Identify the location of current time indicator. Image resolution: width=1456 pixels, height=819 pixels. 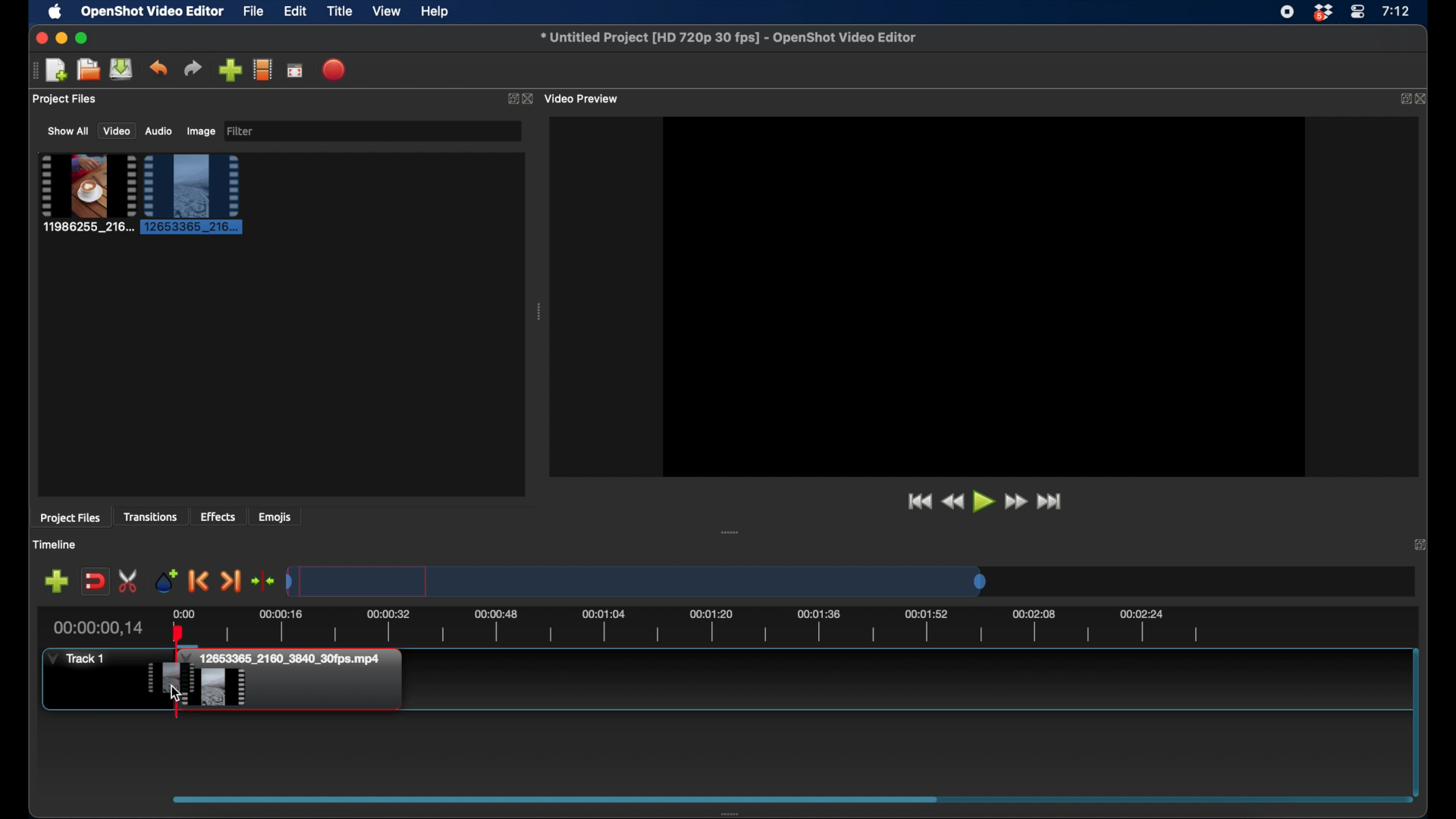
(99, 628).